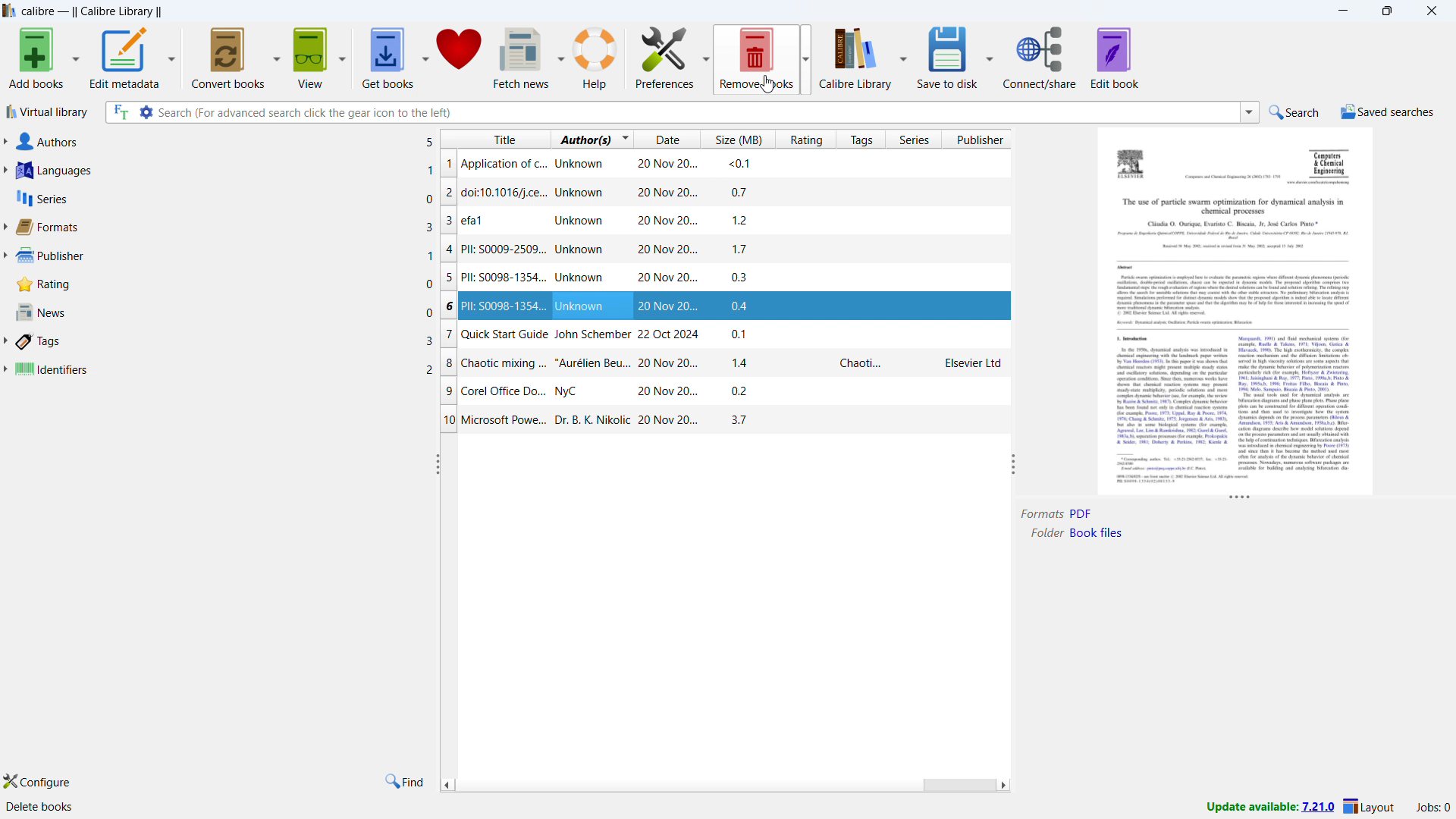 The height and width of the screenshot is (819, 1456). I want to click on remove books, so click(757, 56).